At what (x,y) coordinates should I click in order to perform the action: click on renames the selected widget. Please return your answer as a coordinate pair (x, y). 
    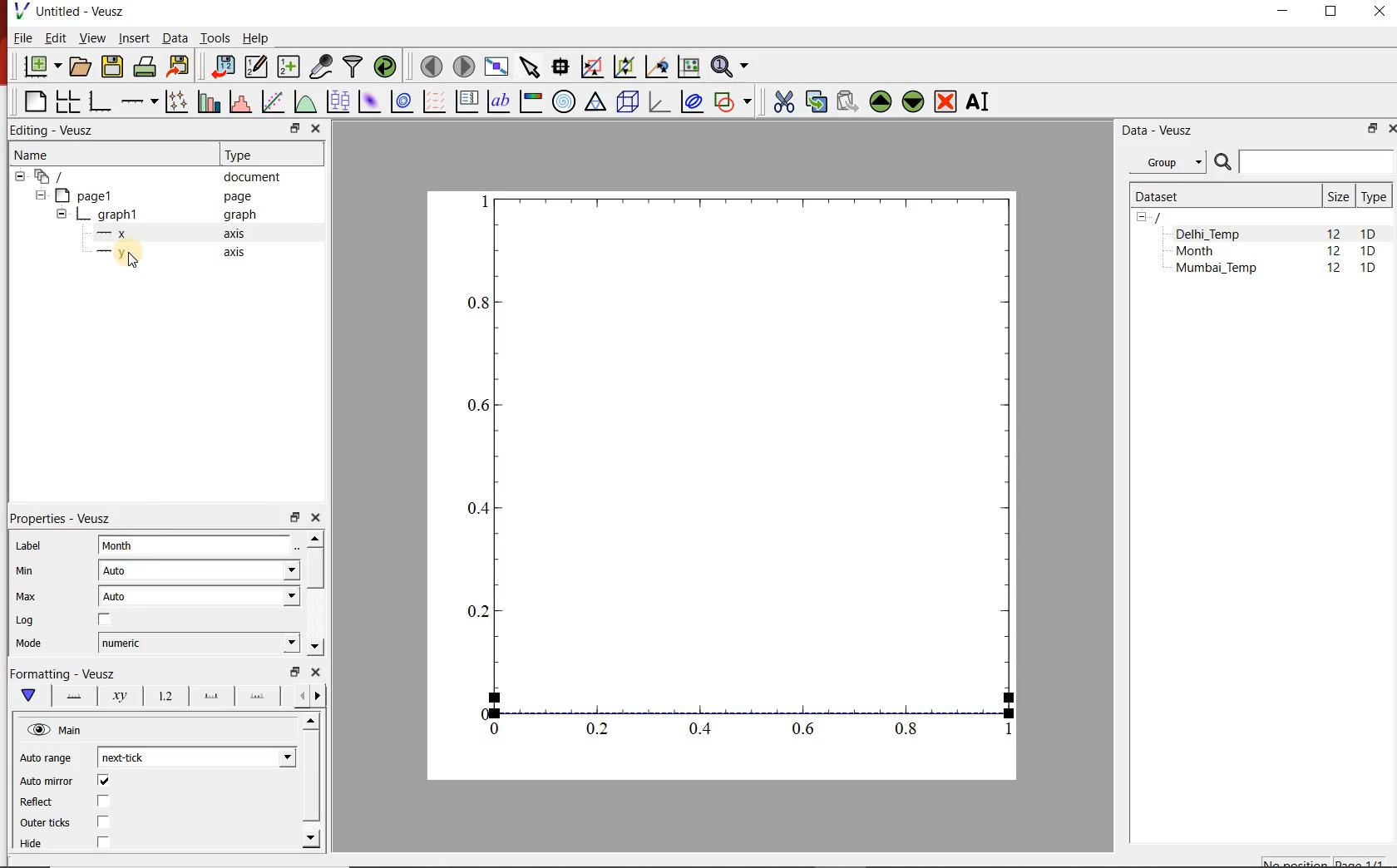
    Looking at the image, I should click on (979, 102).